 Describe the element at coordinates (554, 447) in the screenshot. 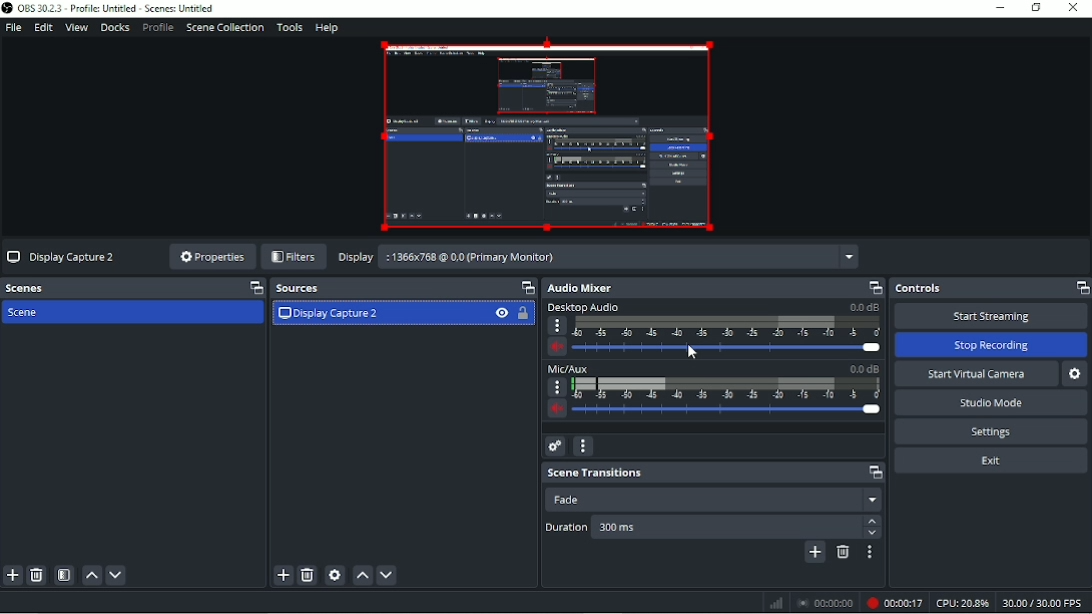

I see `Advanced audio properties` at that location.